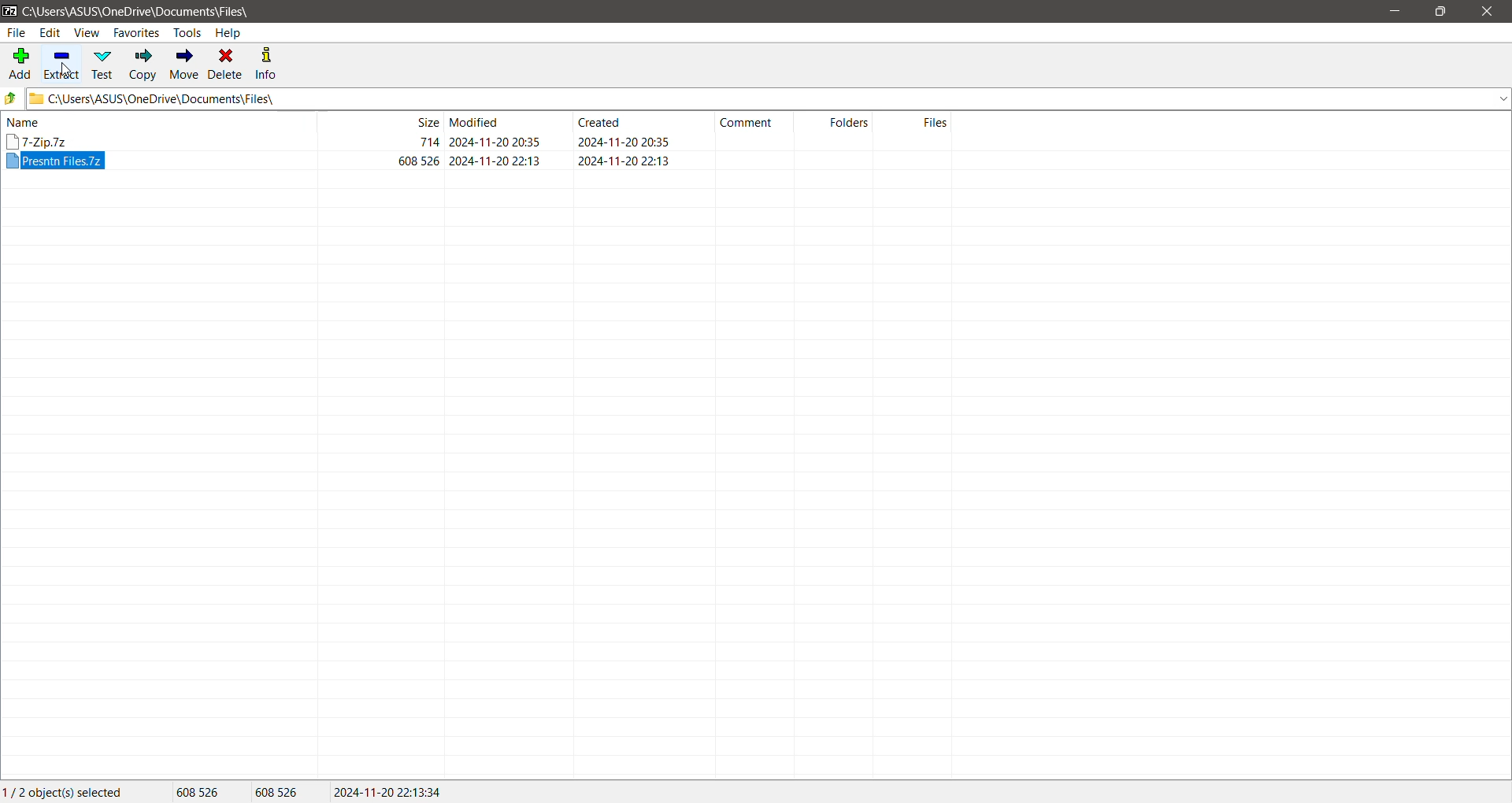 The image size is (1512, 803). I want to click on created date & time, so click(623, 142).